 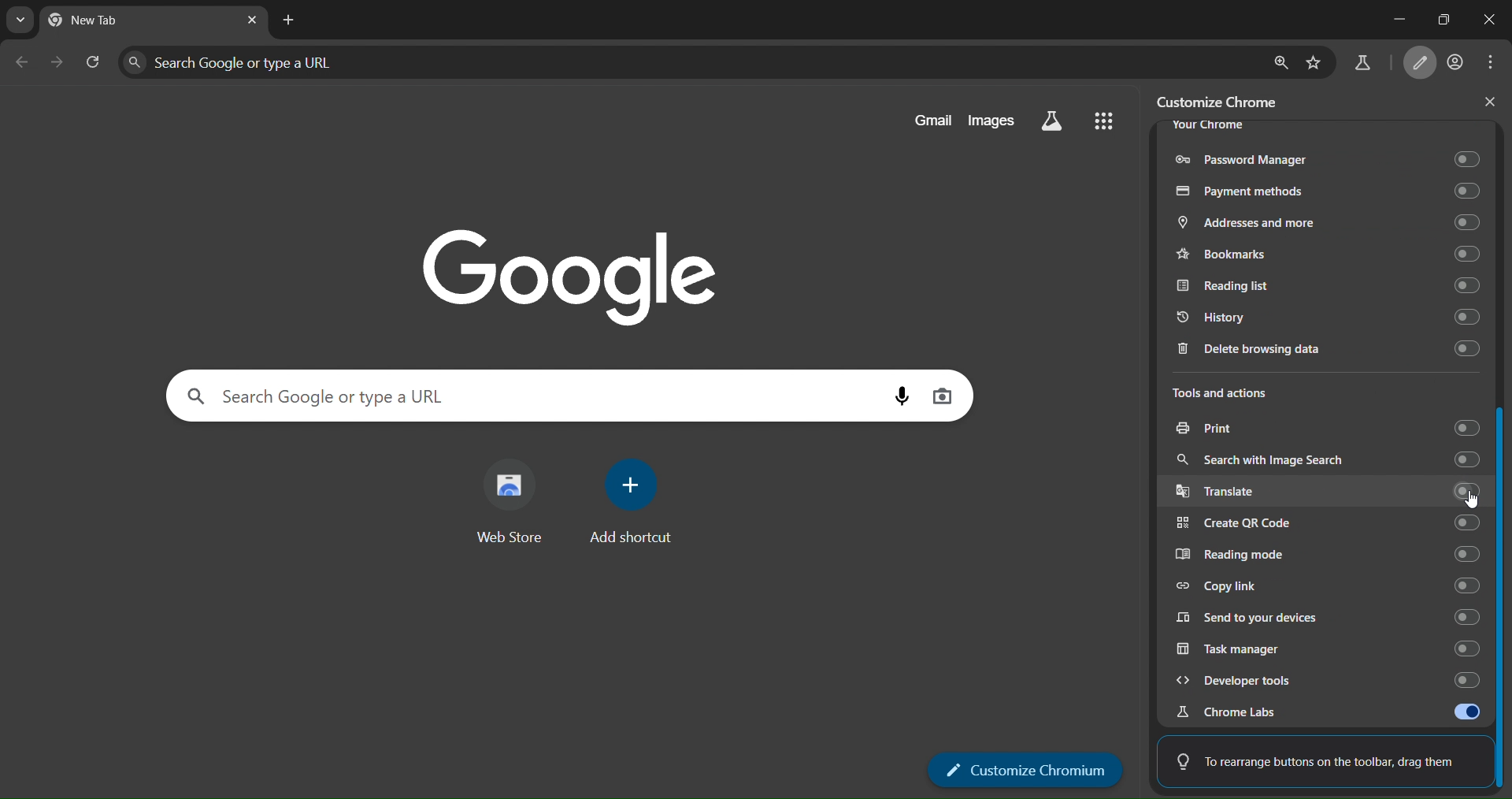 What do you see at coordinates (1327, 426) in the screenshot?
I see `print` at bounding box center [1327, 426].